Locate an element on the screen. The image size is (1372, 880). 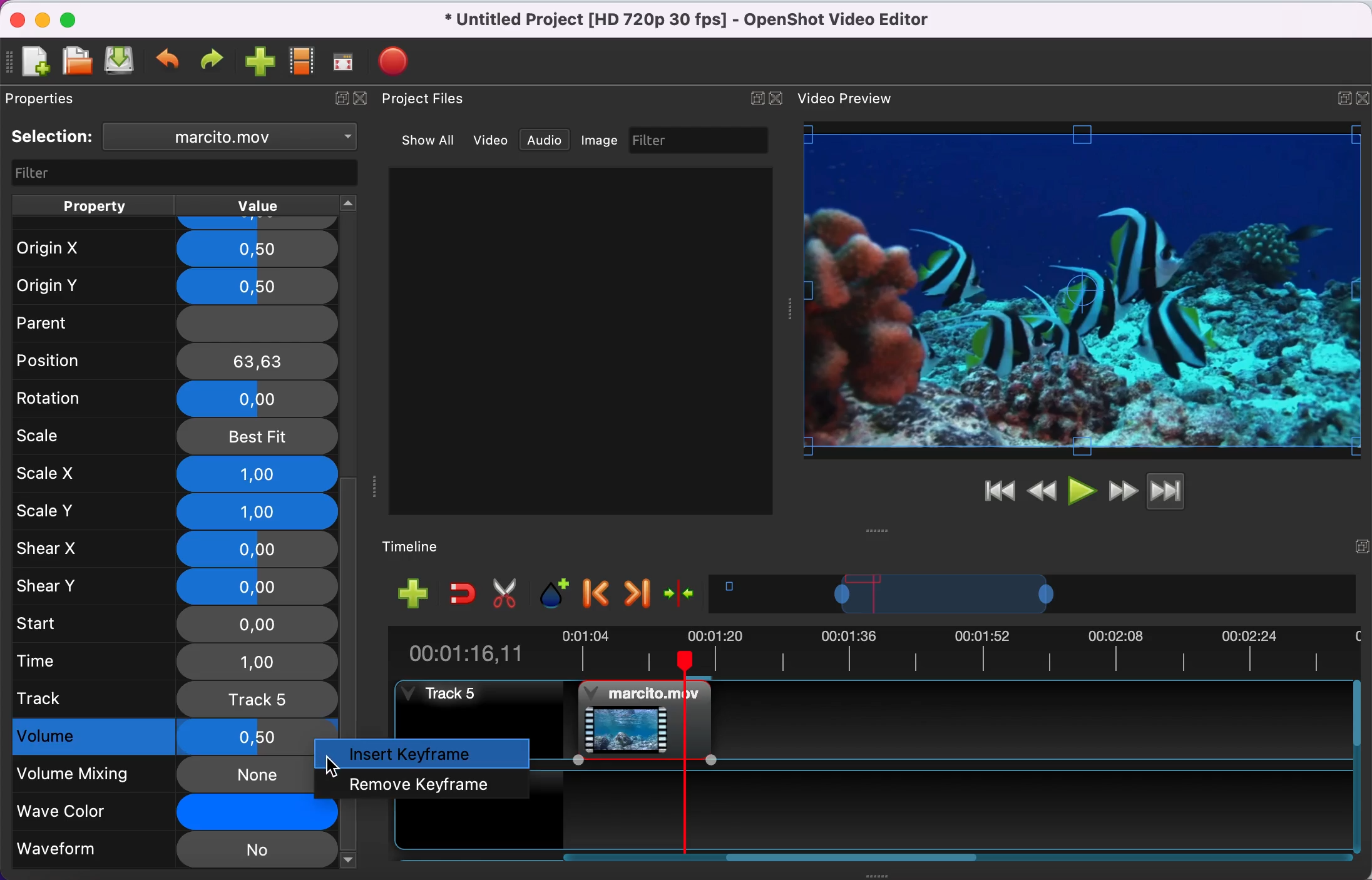
import file is located at coordinates (260, 63).